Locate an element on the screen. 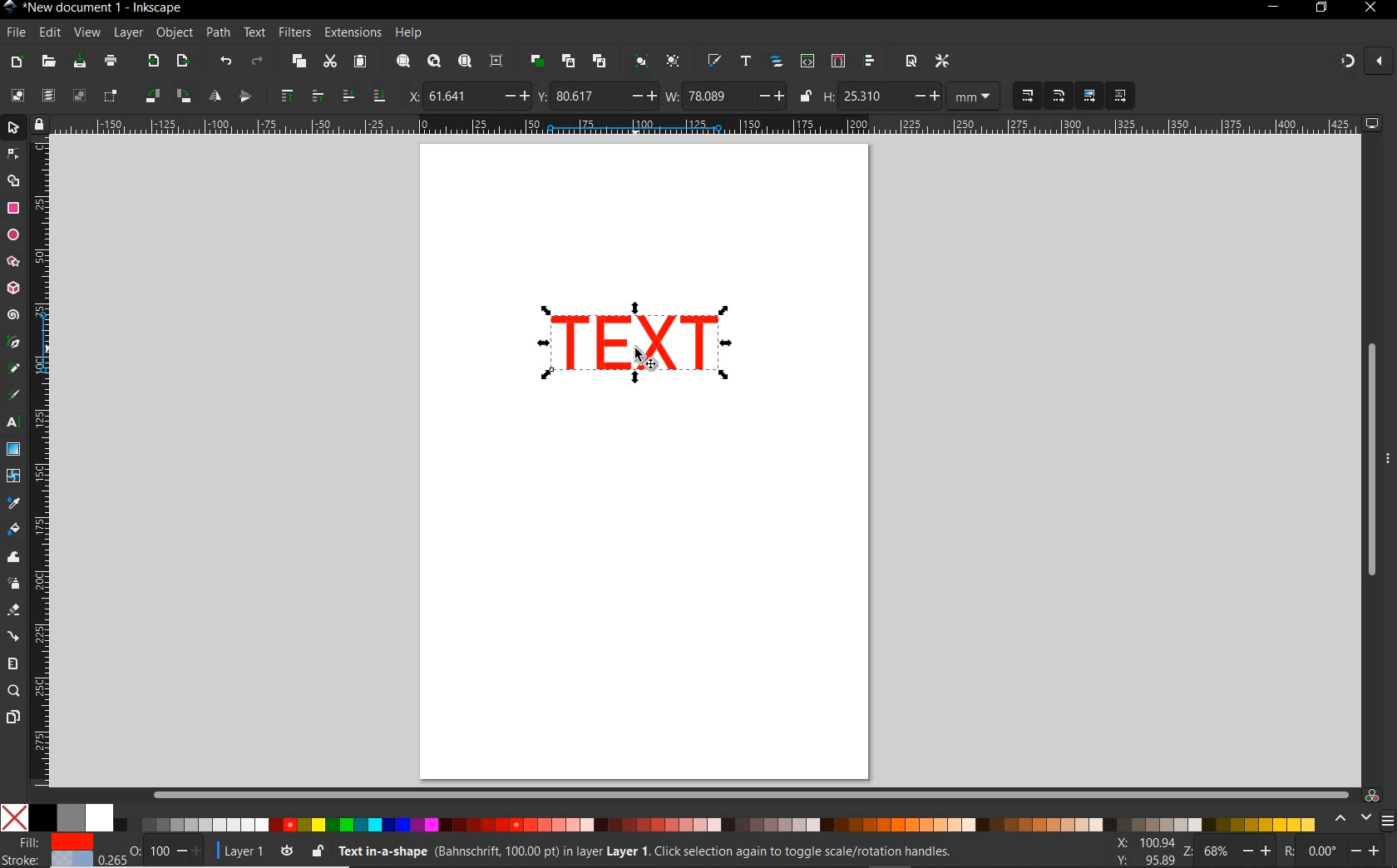 The height and width of the screenshot is (868, 1397). tweak tool is located at coordinates (13, 558).